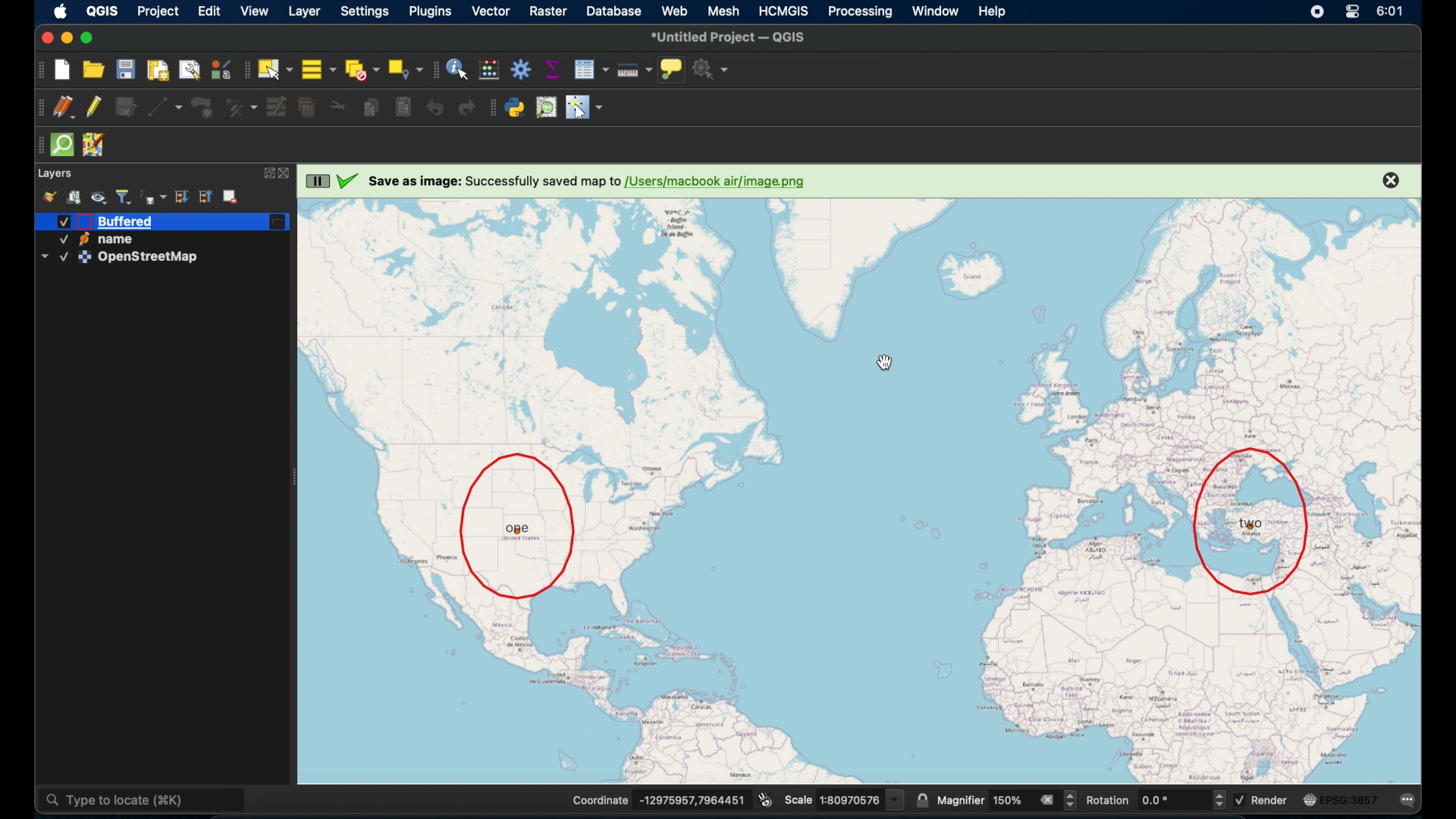 The height and width of the screenshot is (819, 1456). Describe the element at coordinates (154, 195) in the screenshot. I see `filter legend by expression` at that location.